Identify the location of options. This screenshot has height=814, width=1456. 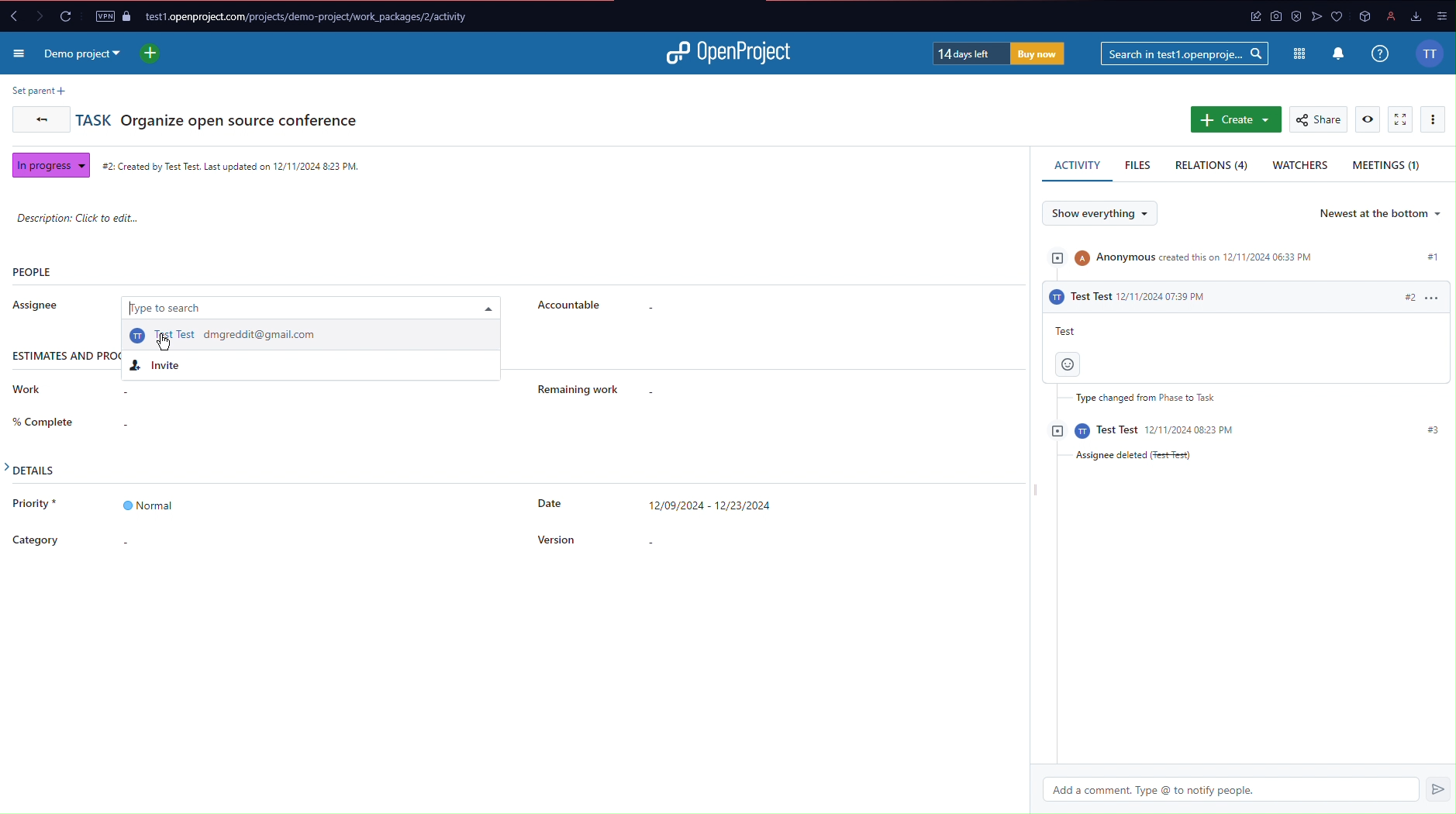
(1440, 14).